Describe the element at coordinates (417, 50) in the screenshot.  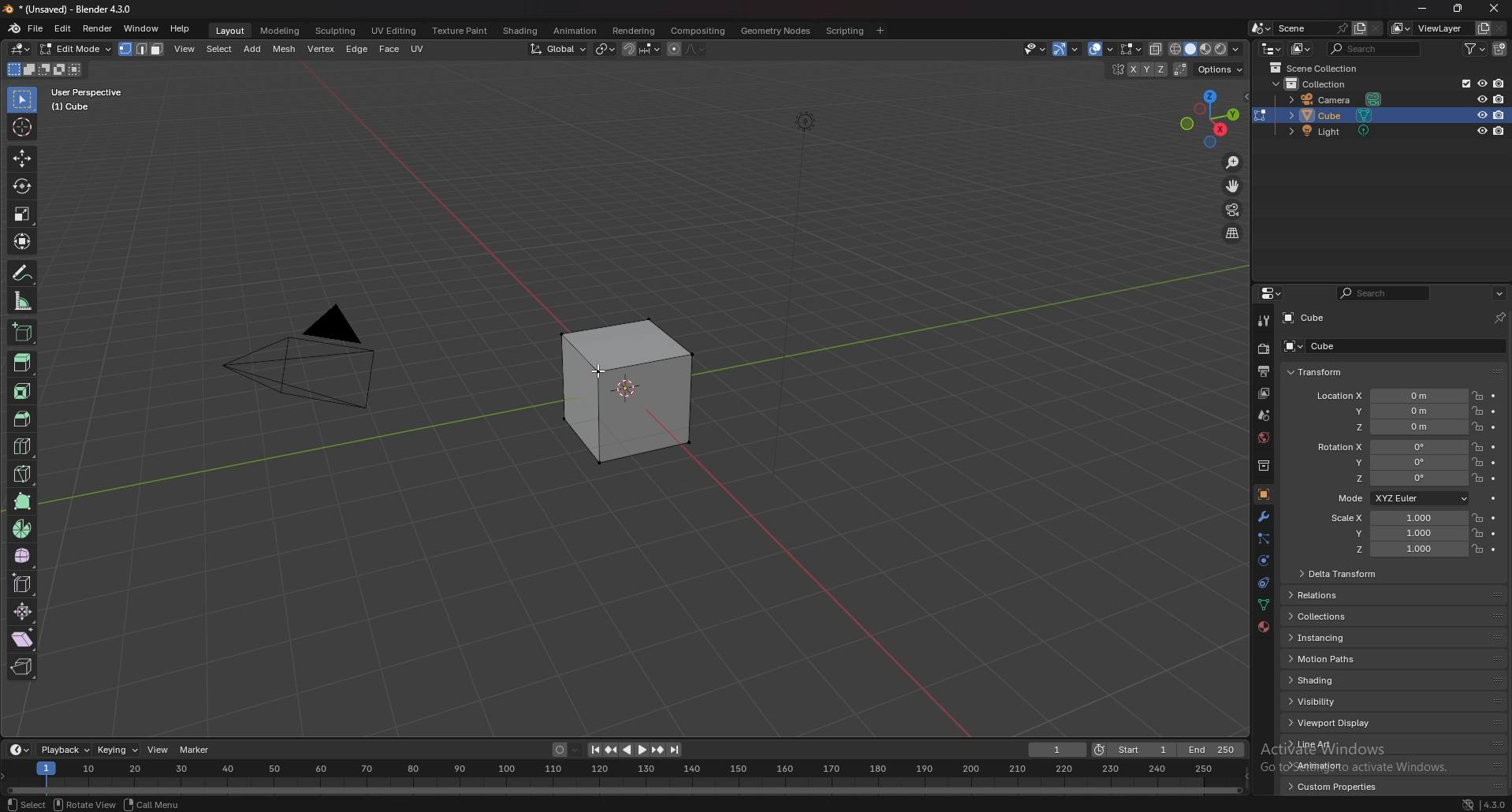
I see `uv` at that location.